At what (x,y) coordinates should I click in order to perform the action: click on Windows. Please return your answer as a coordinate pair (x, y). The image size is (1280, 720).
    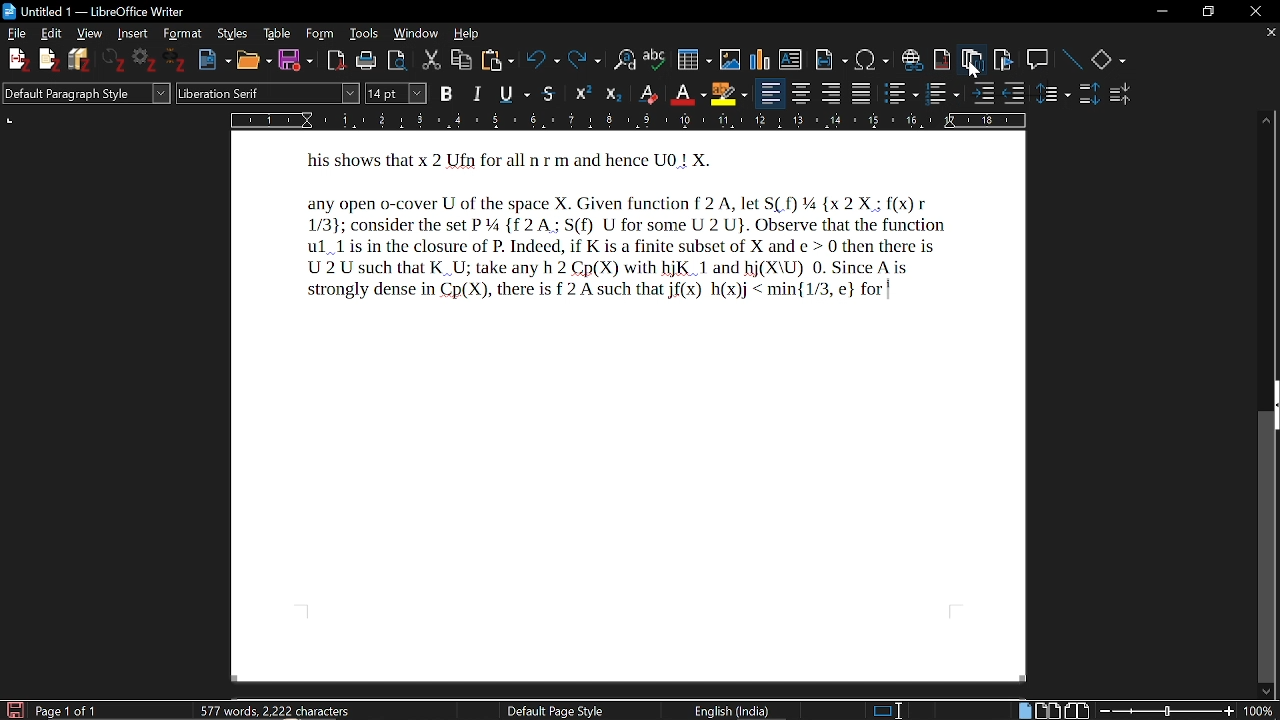
    Looking at the image, I should click on (418, 33).